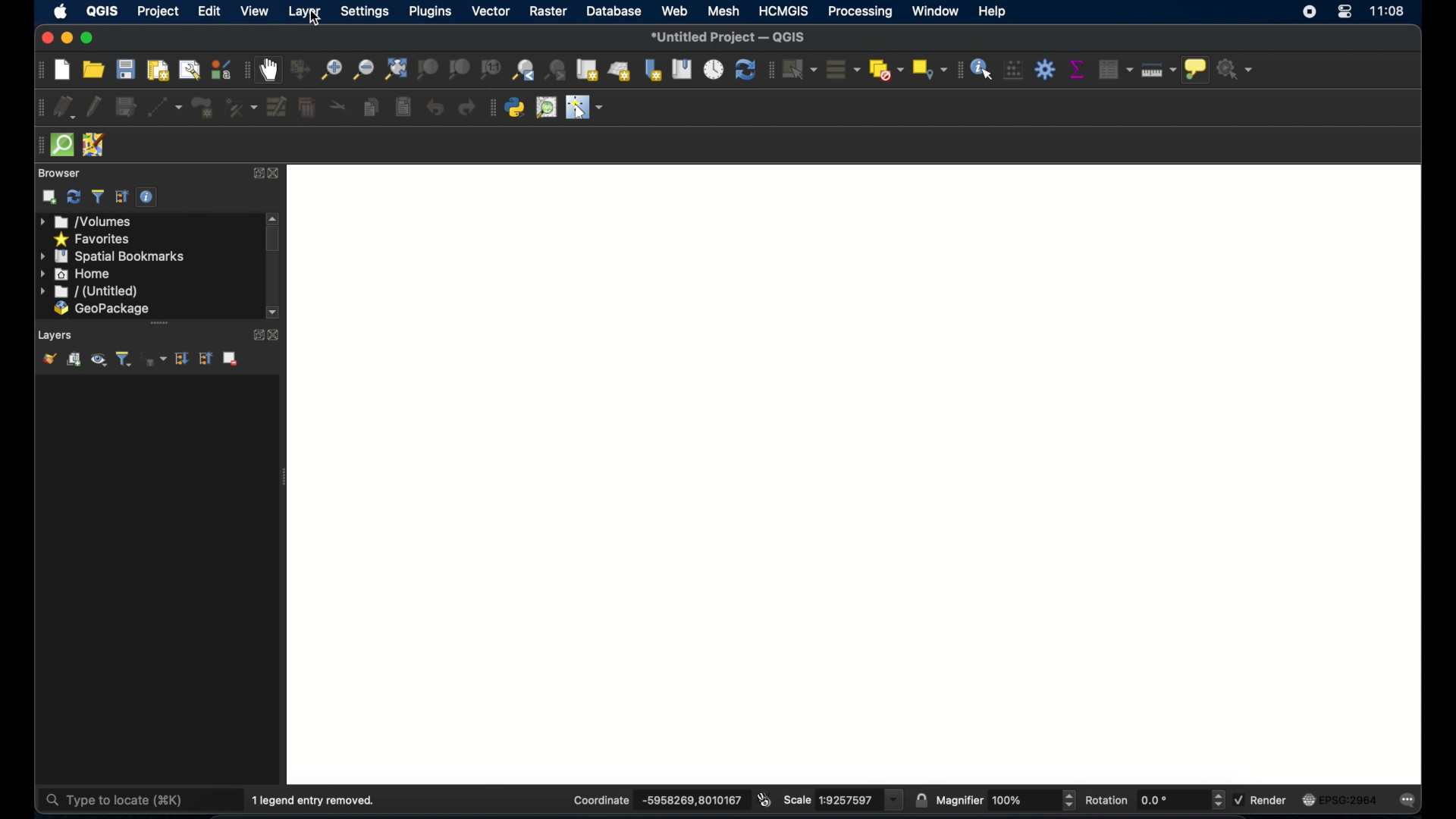 This screenshot has height=819, width=1456. Describe the element at coordinates (87, 292) in the screenshot. I see `untitled` at that location.